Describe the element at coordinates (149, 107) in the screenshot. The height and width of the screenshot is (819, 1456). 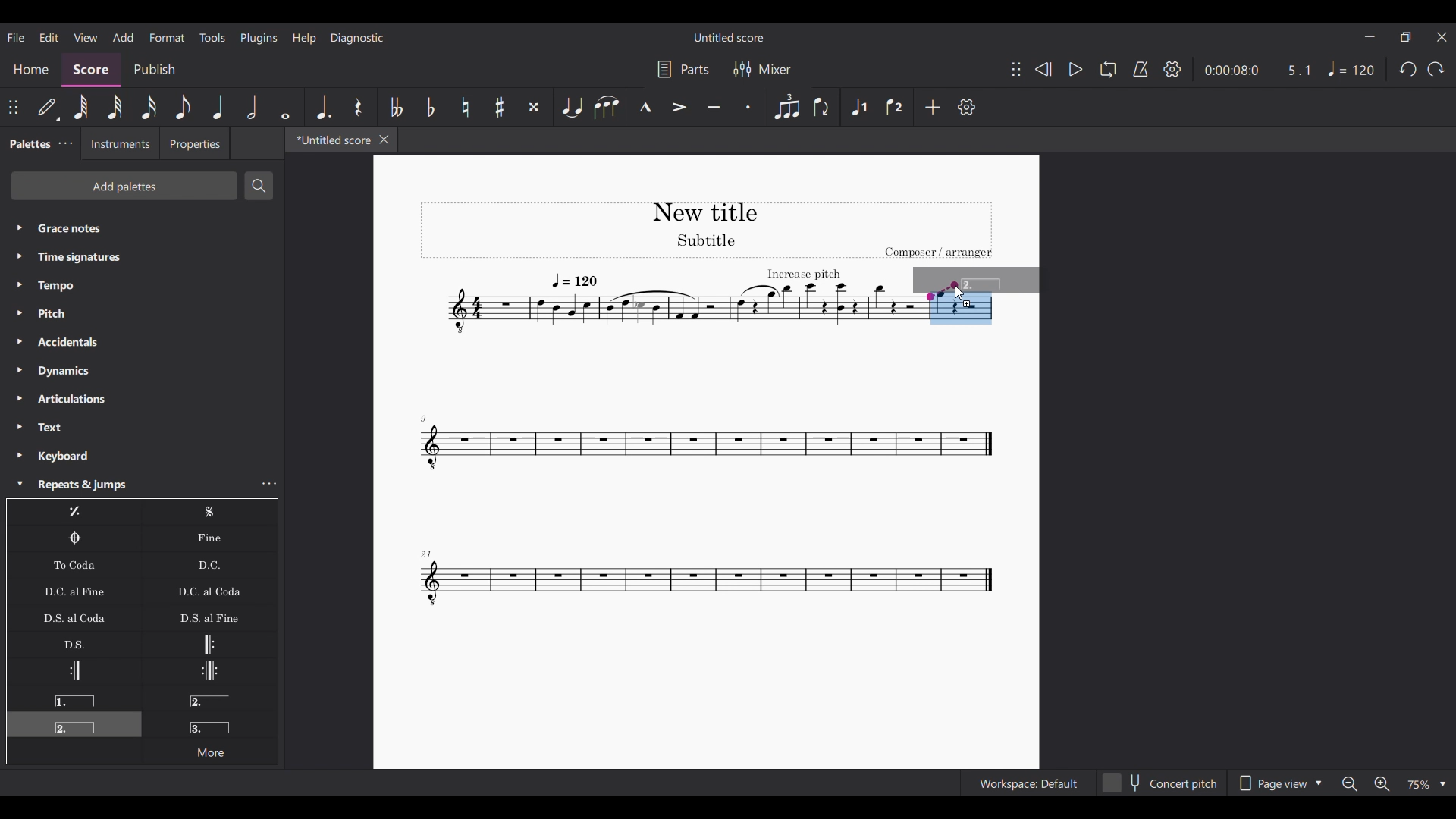
I see `16th note` at that location.